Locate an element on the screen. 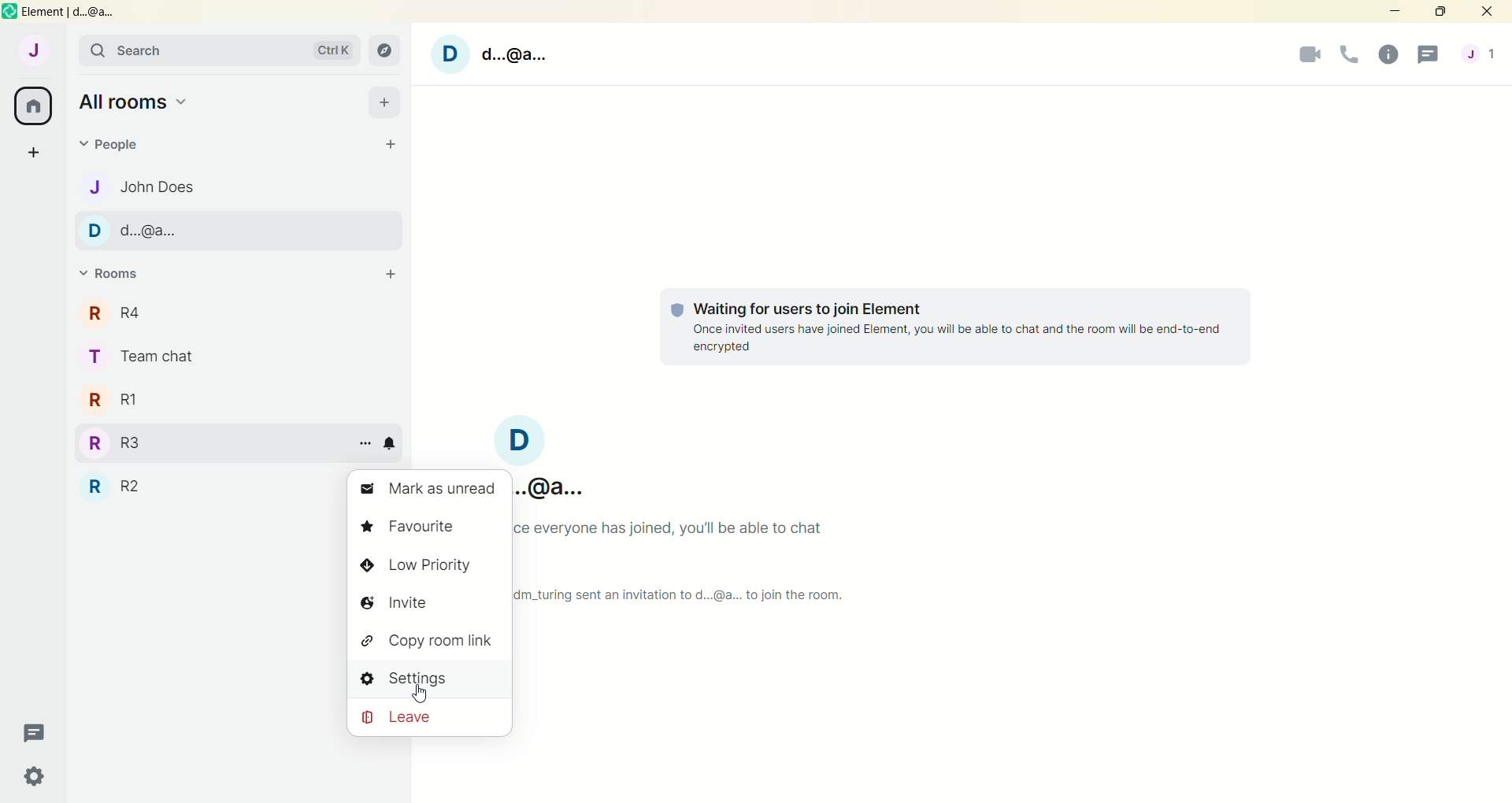  threads is located at coordinates (39, 734).